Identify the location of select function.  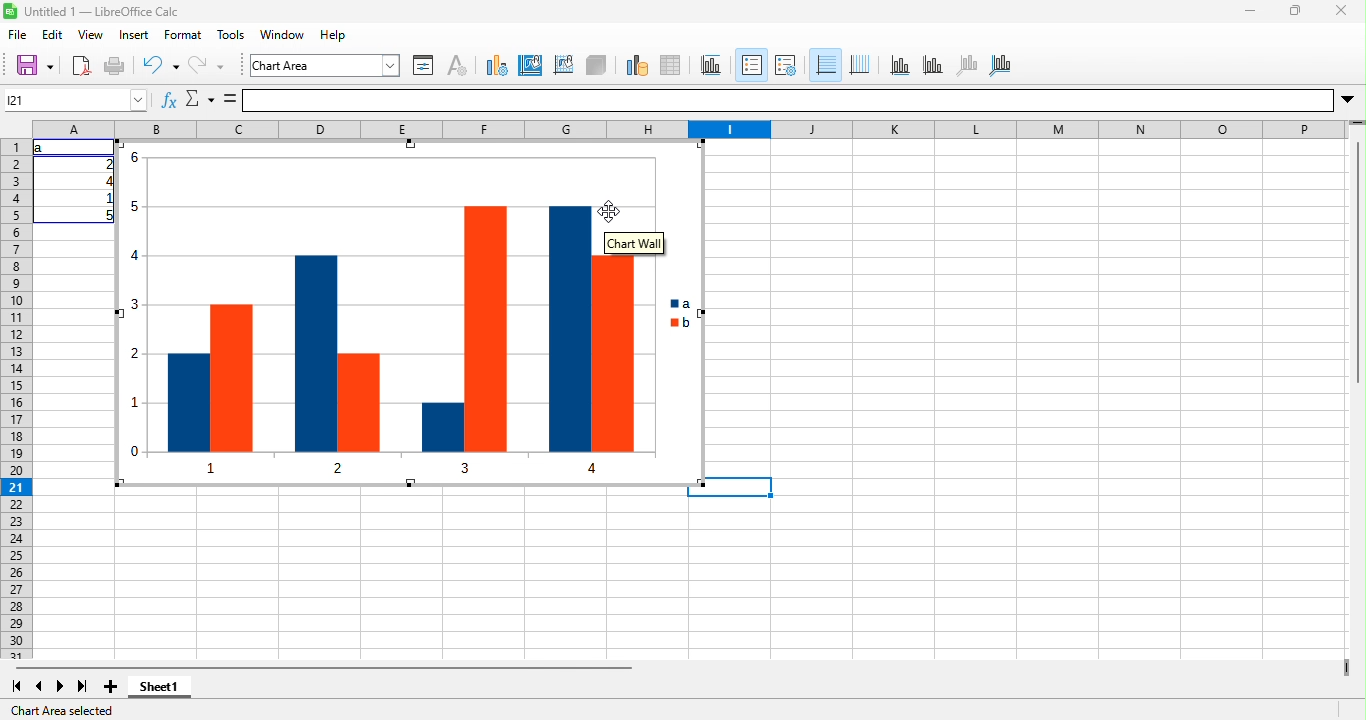
(199, 99).